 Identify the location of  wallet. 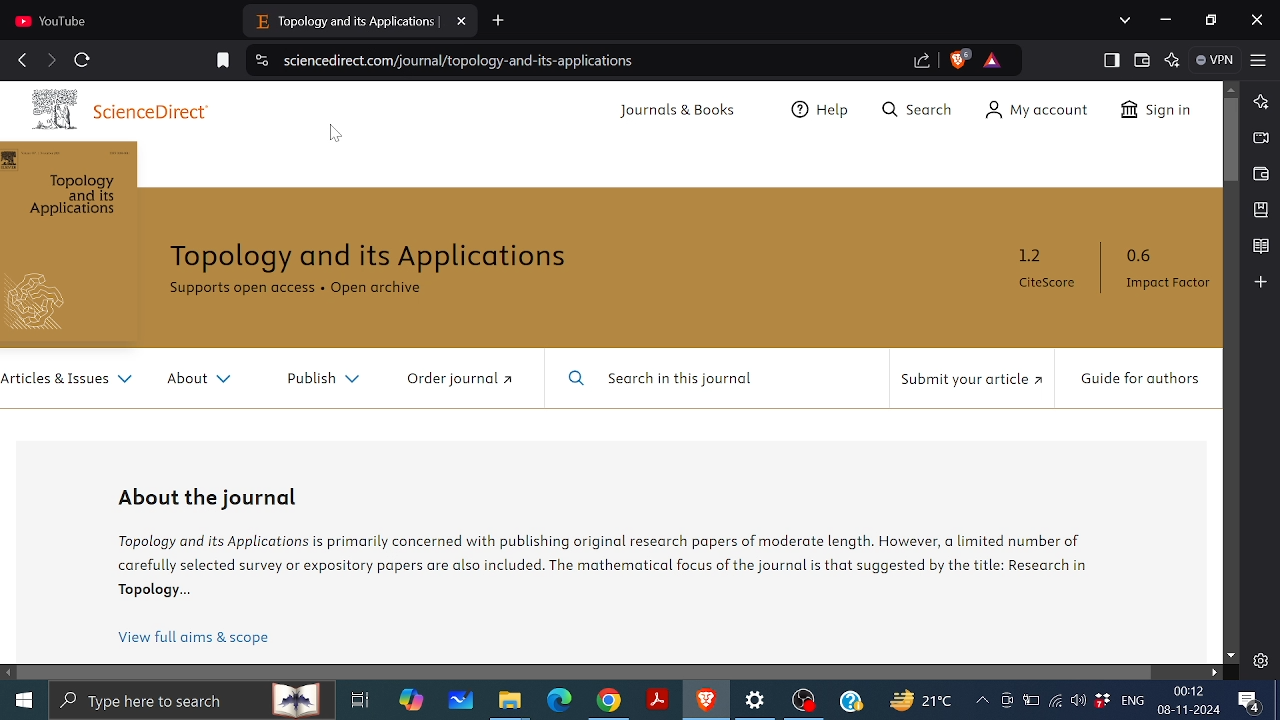
(1143, 61).